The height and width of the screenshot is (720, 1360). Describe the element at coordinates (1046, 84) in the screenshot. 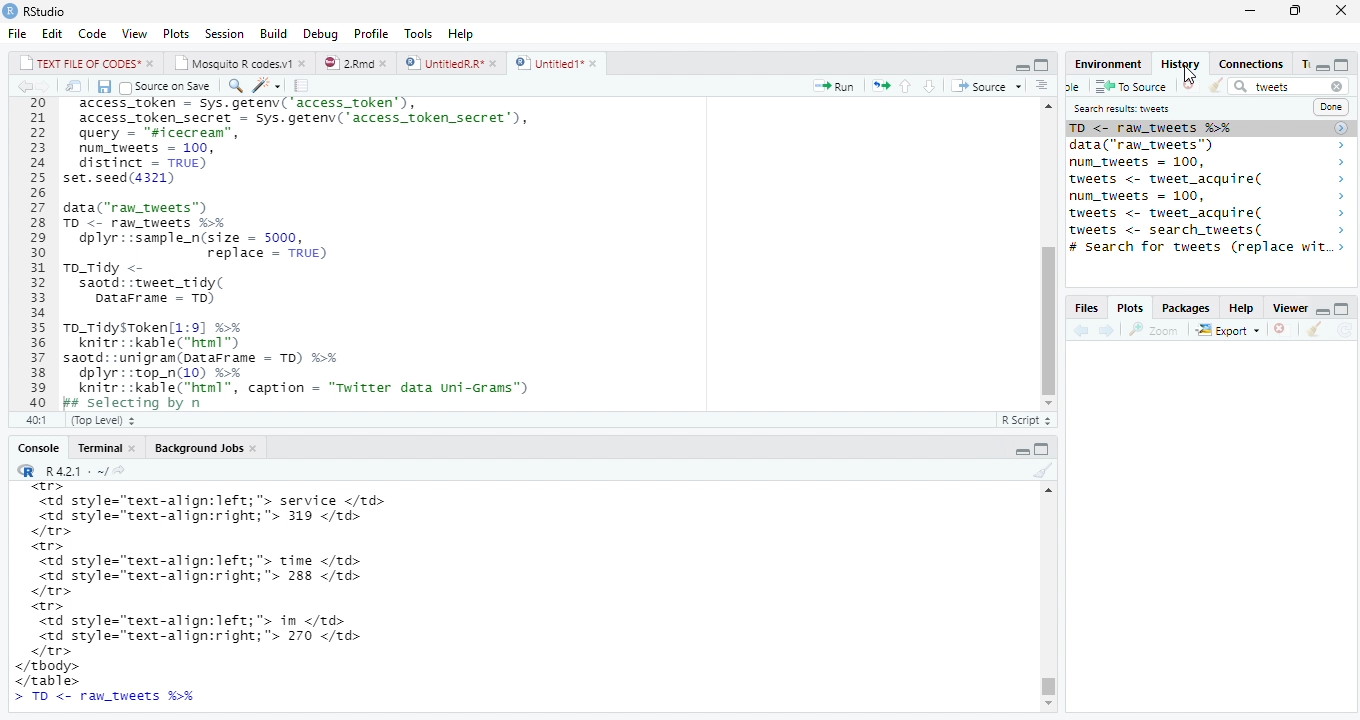

I see `show document outline` at that location.